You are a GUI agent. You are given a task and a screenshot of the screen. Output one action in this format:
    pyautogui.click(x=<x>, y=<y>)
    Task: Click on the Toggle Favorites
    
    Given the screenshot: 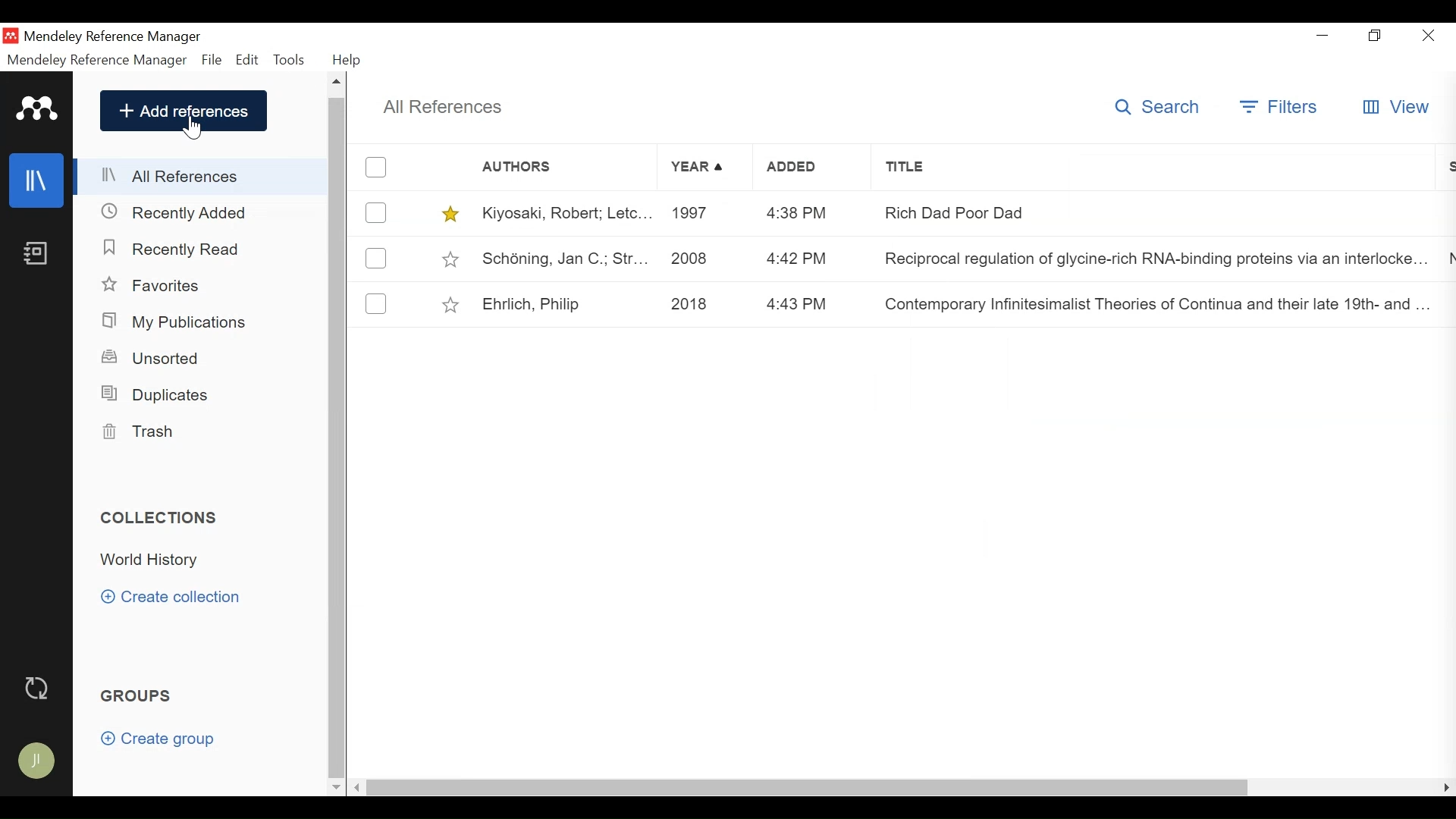 What is the action you would take?
    pyautogui.click(x=447, y=303)
    